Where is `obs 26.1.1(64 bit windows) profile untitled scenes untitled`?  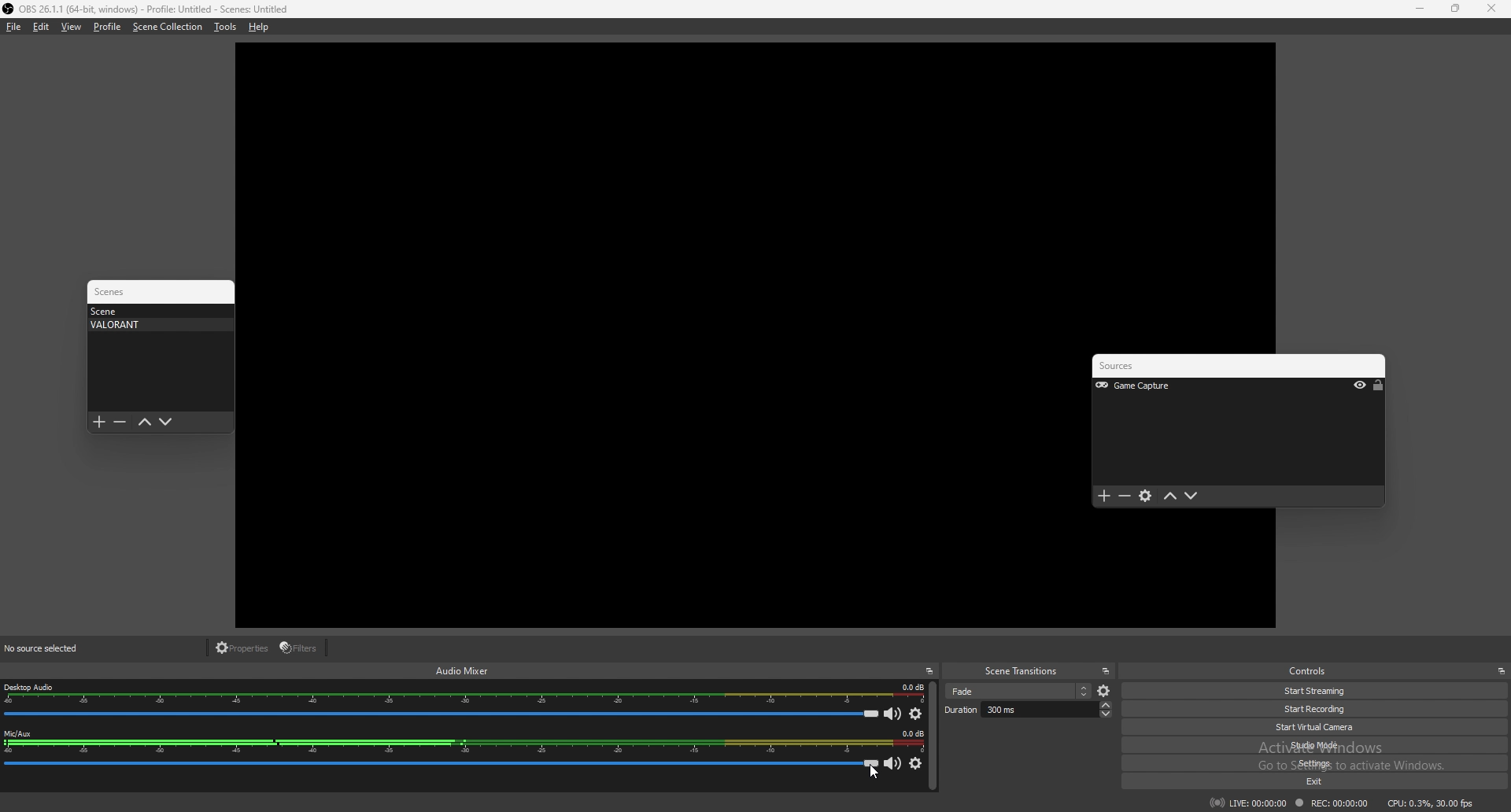
obs 26.1.1(64 bit windows) profile untitled scenes untitled is located at coordinates (146, 9).